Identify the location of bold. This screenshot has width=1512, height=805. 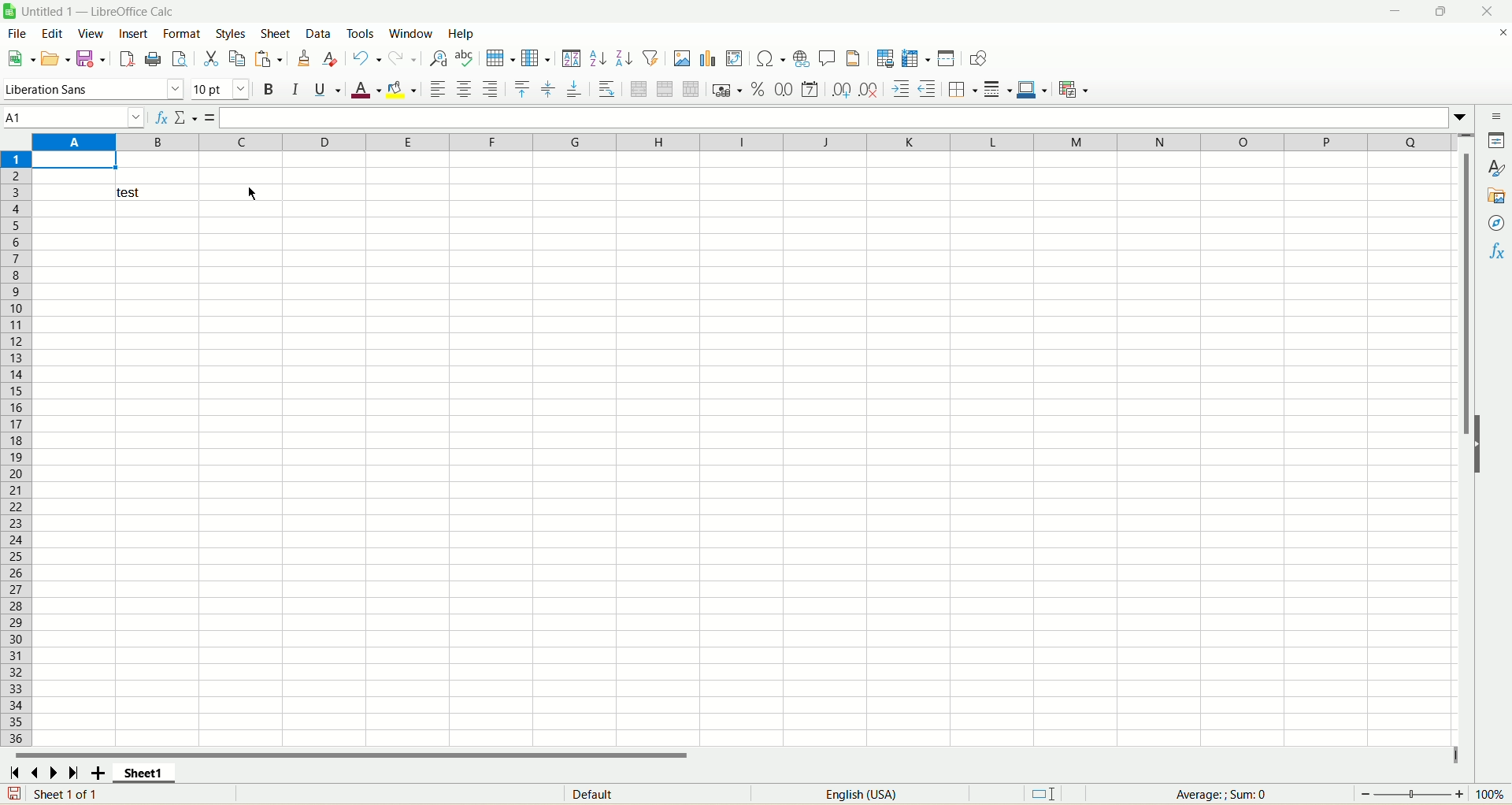
(270, 89).